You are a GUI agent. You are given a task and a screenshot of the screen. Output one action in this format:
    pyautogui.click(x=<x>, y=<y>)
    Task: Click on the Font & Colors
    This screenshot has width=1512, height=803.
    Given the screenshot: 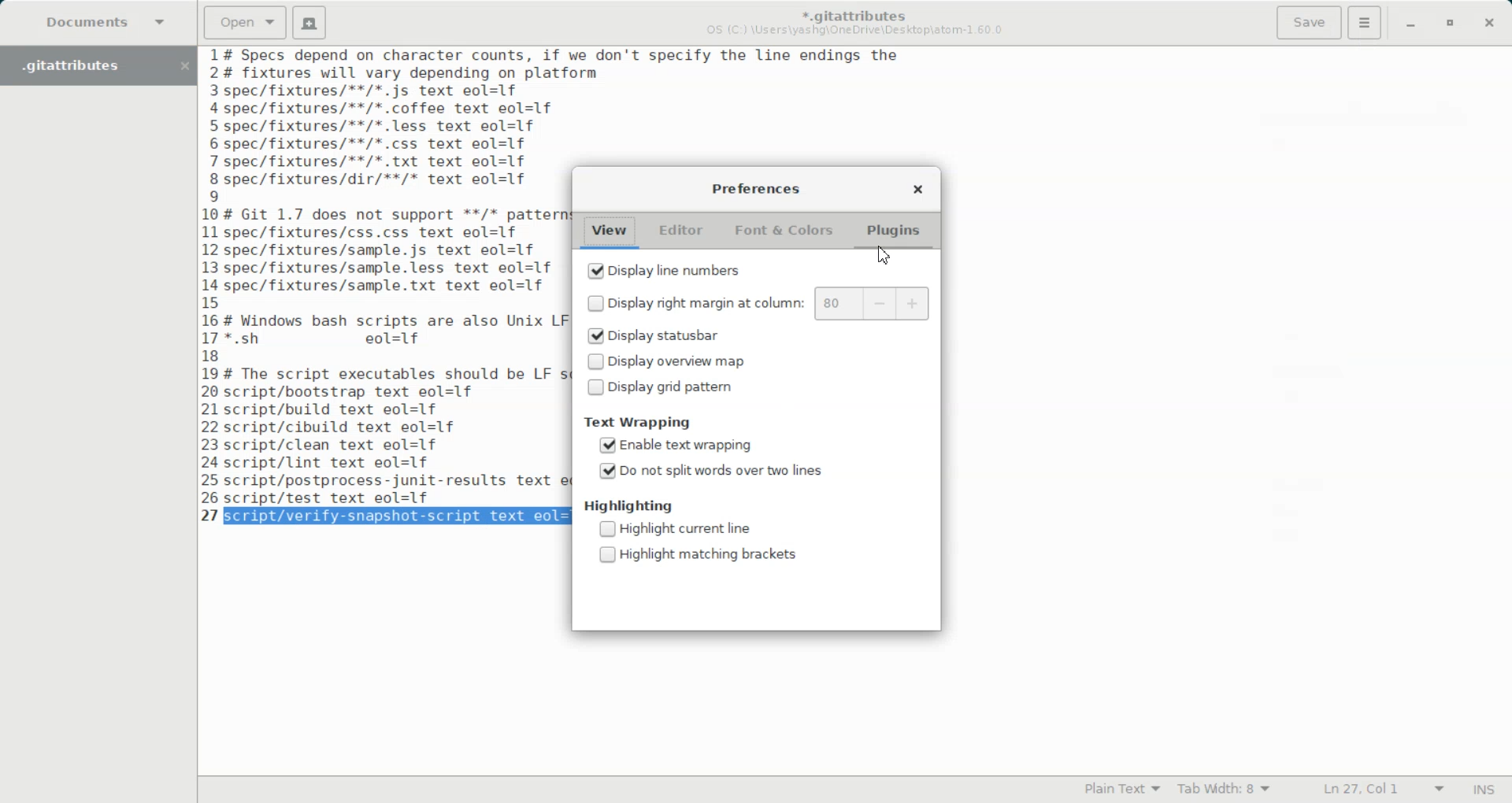 What is the action you would take?
    pyautogui.click(x=782, y=230)
    